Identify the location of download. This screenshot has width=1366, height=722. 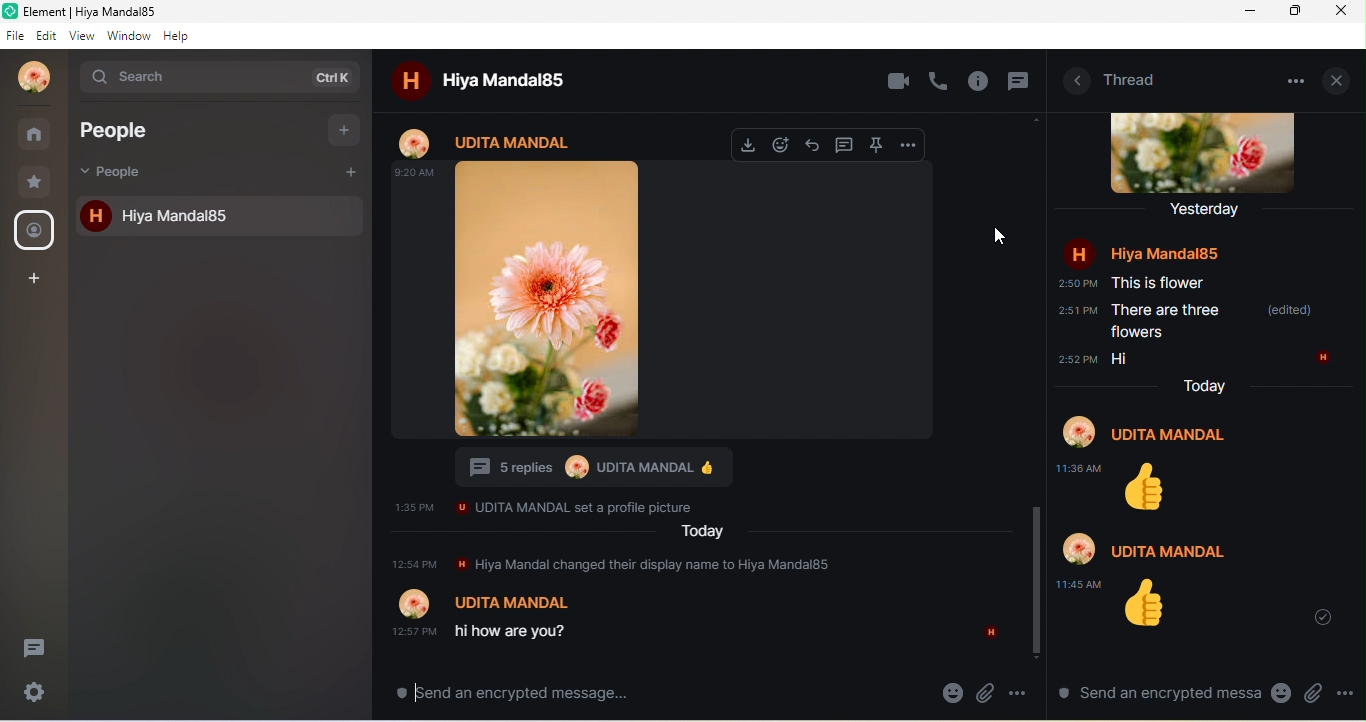
(754, 145).